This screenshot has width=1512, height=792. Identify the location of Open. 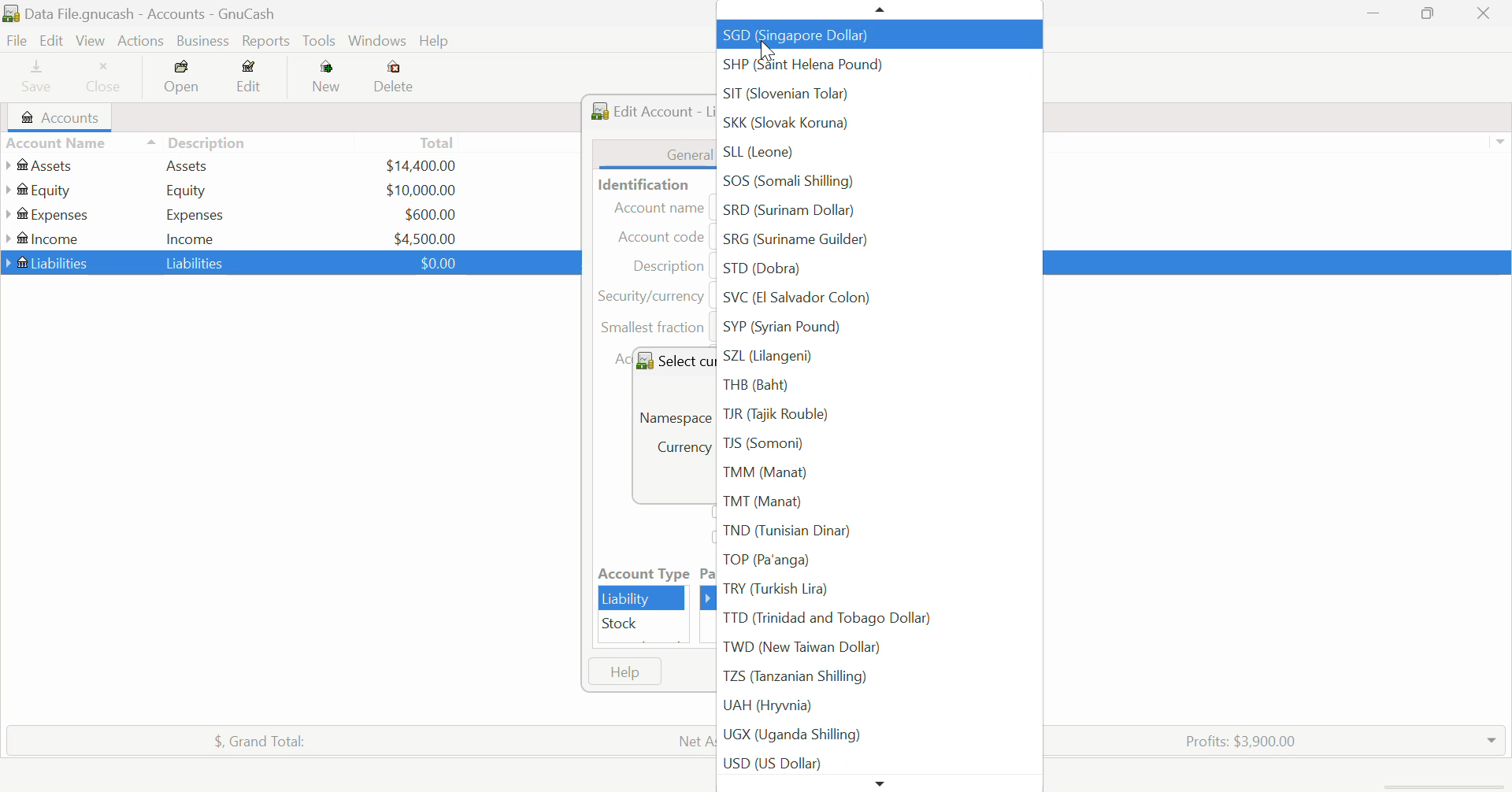
(183, 80).